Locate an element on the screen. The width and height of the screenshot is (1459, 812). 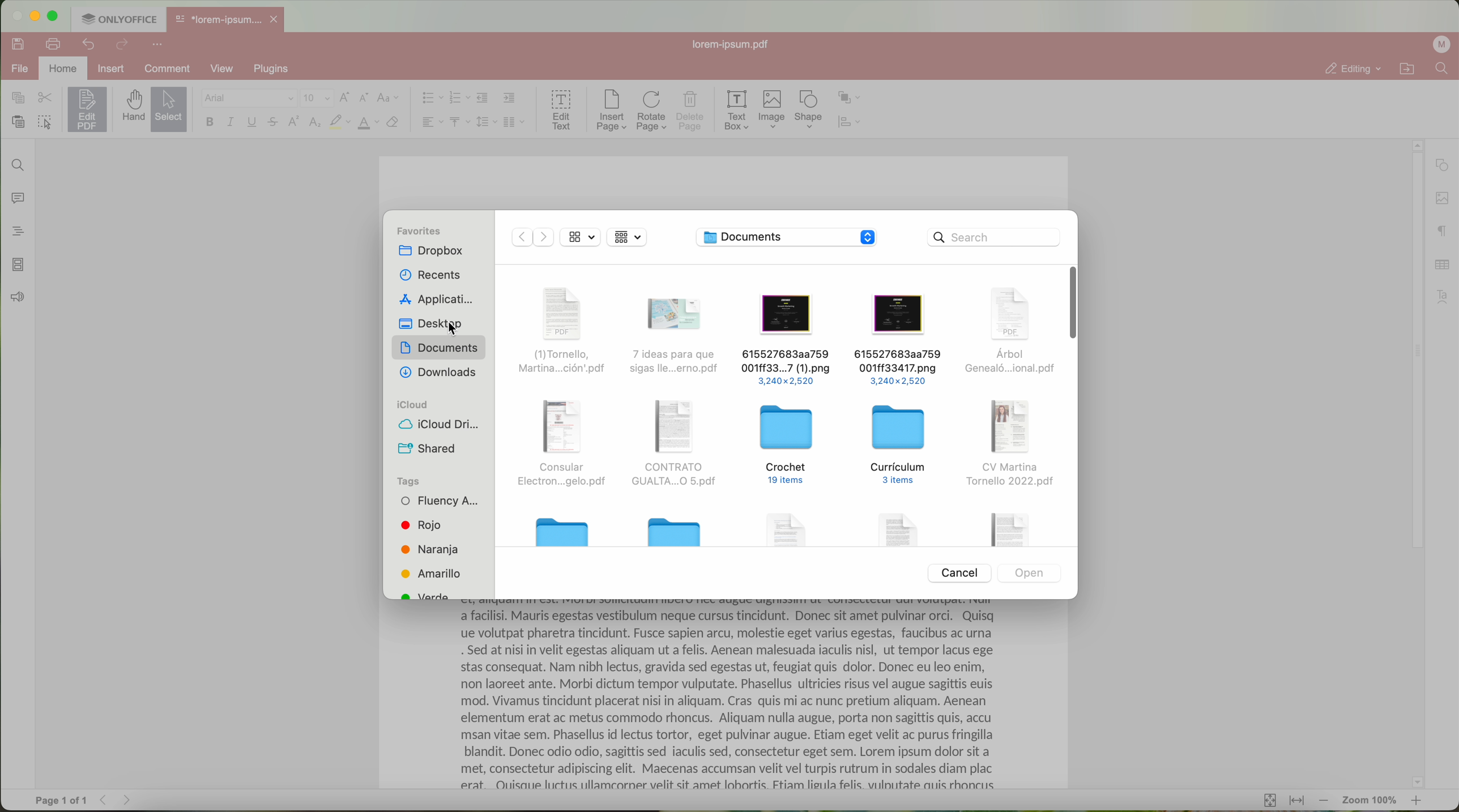
superscript is located at coordinates (295, 121).